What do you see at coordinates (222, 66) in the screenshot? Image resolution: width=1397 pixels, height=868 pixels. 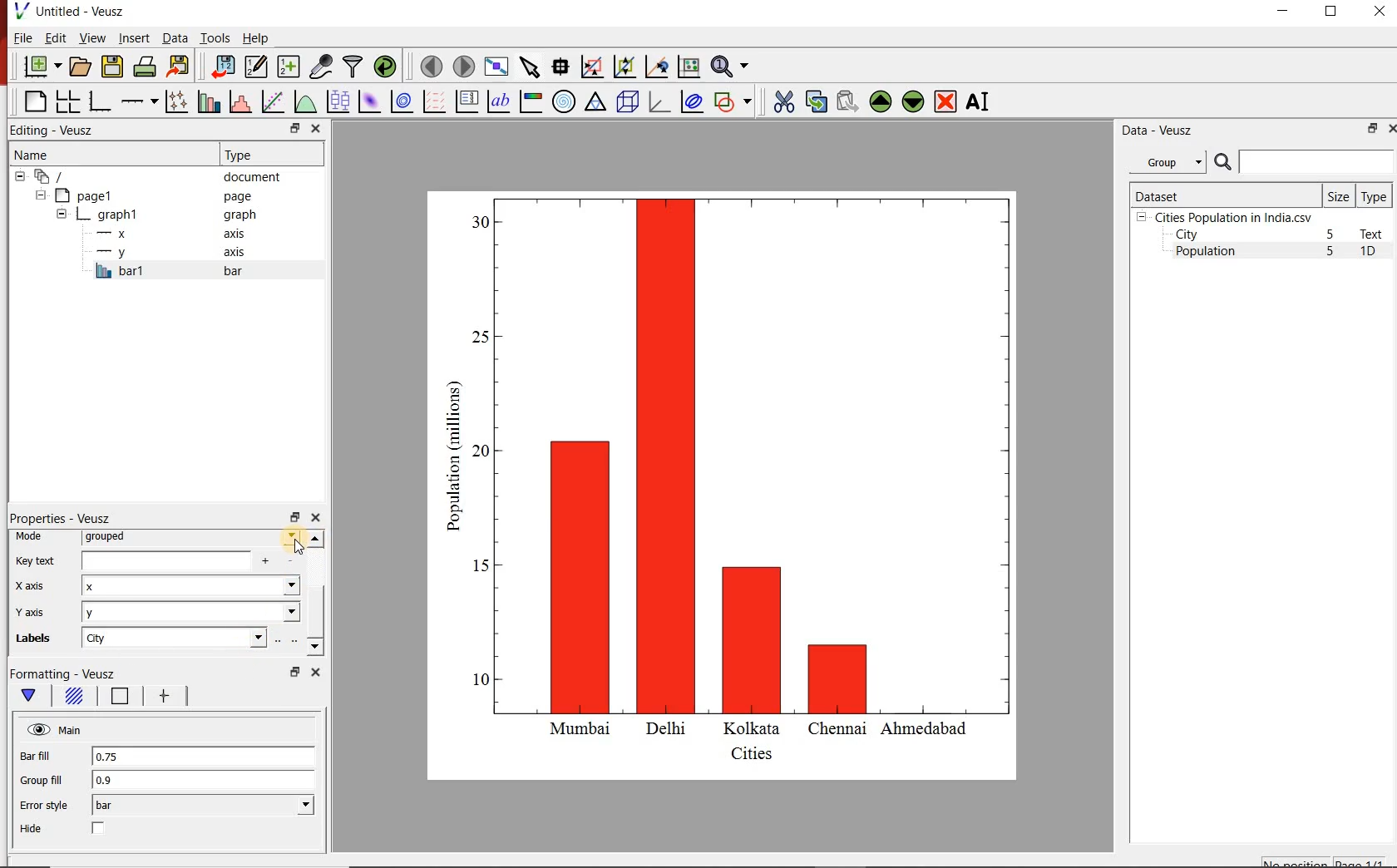 I see `import data into Veusz` at bounding box center [222, 66].